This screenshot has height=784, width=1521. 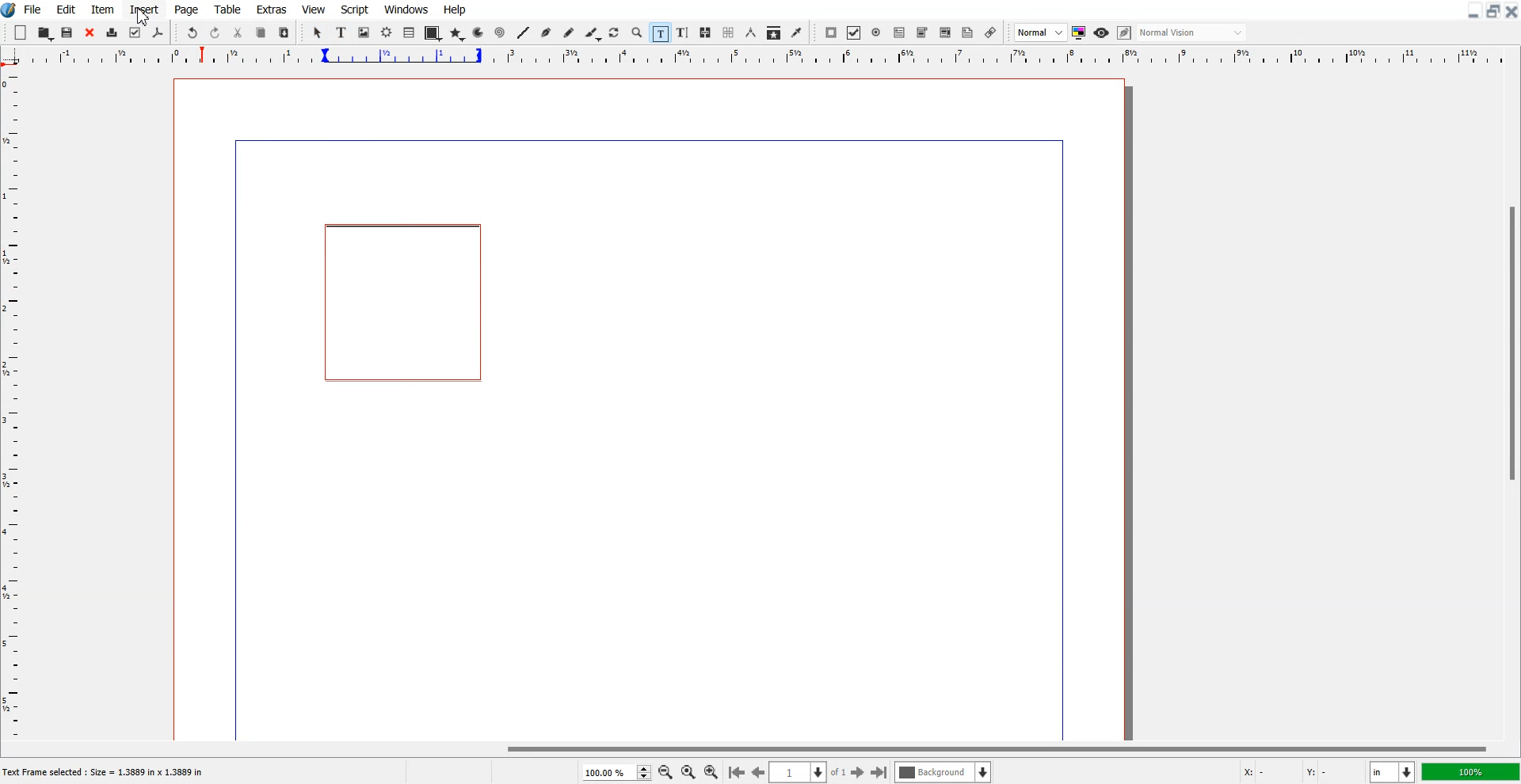 I want to click on Zoom to 100%, so click(x=688, y=773).